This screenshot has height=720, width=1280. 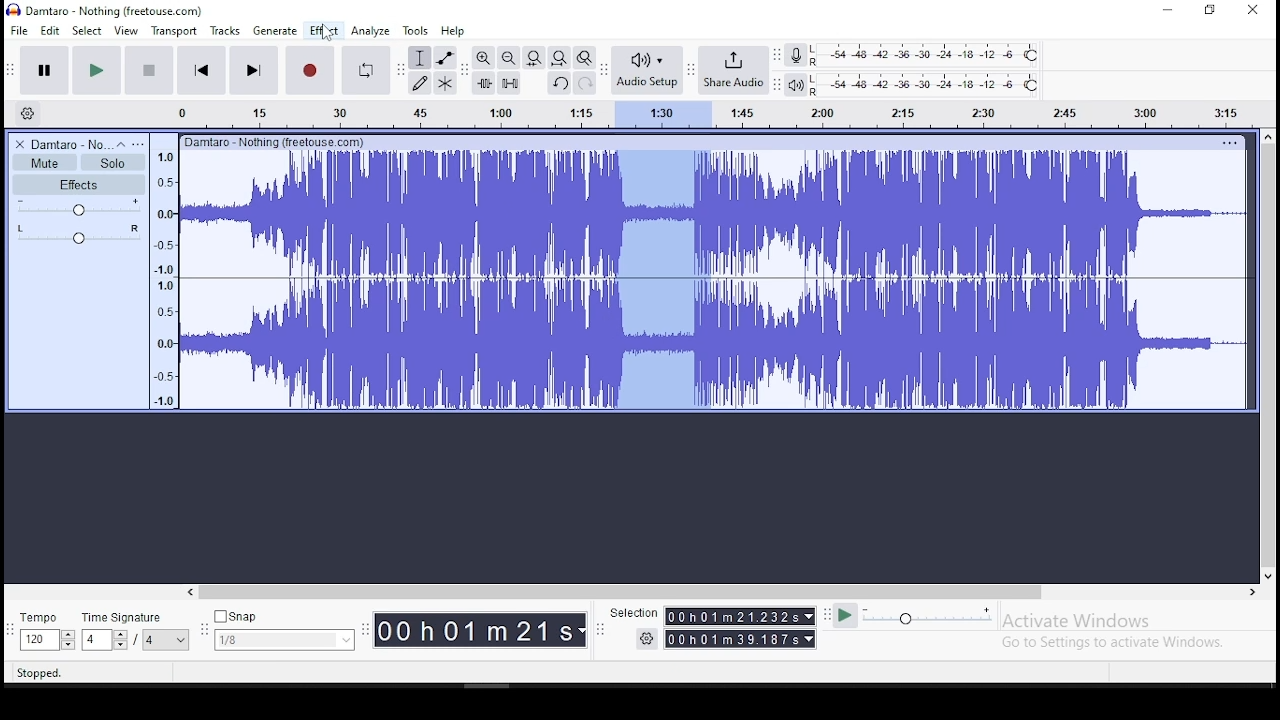 I want to click on Snap, so click(x=284, y=617).